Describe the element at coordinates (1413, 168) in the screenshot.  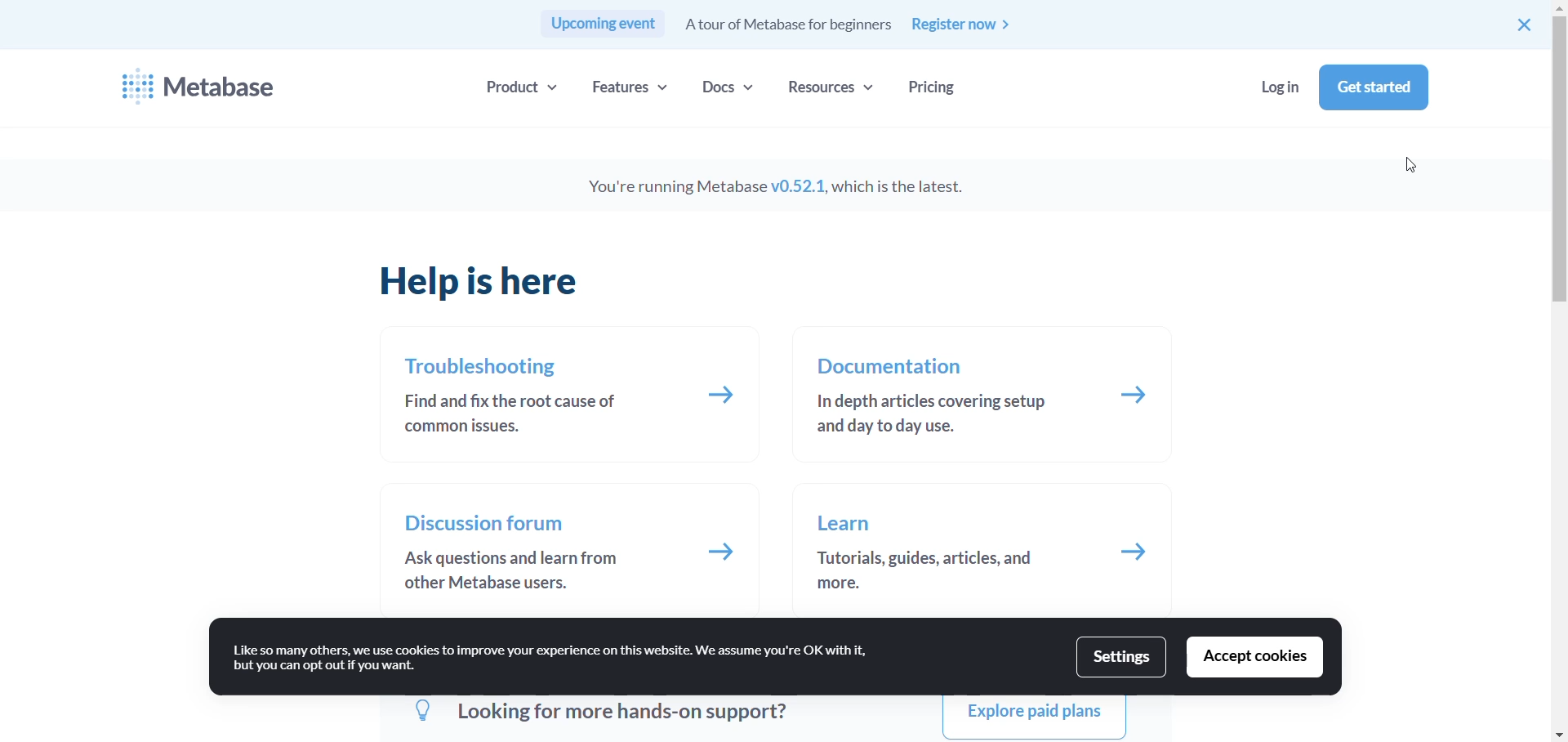
I see `cursor` at that location.